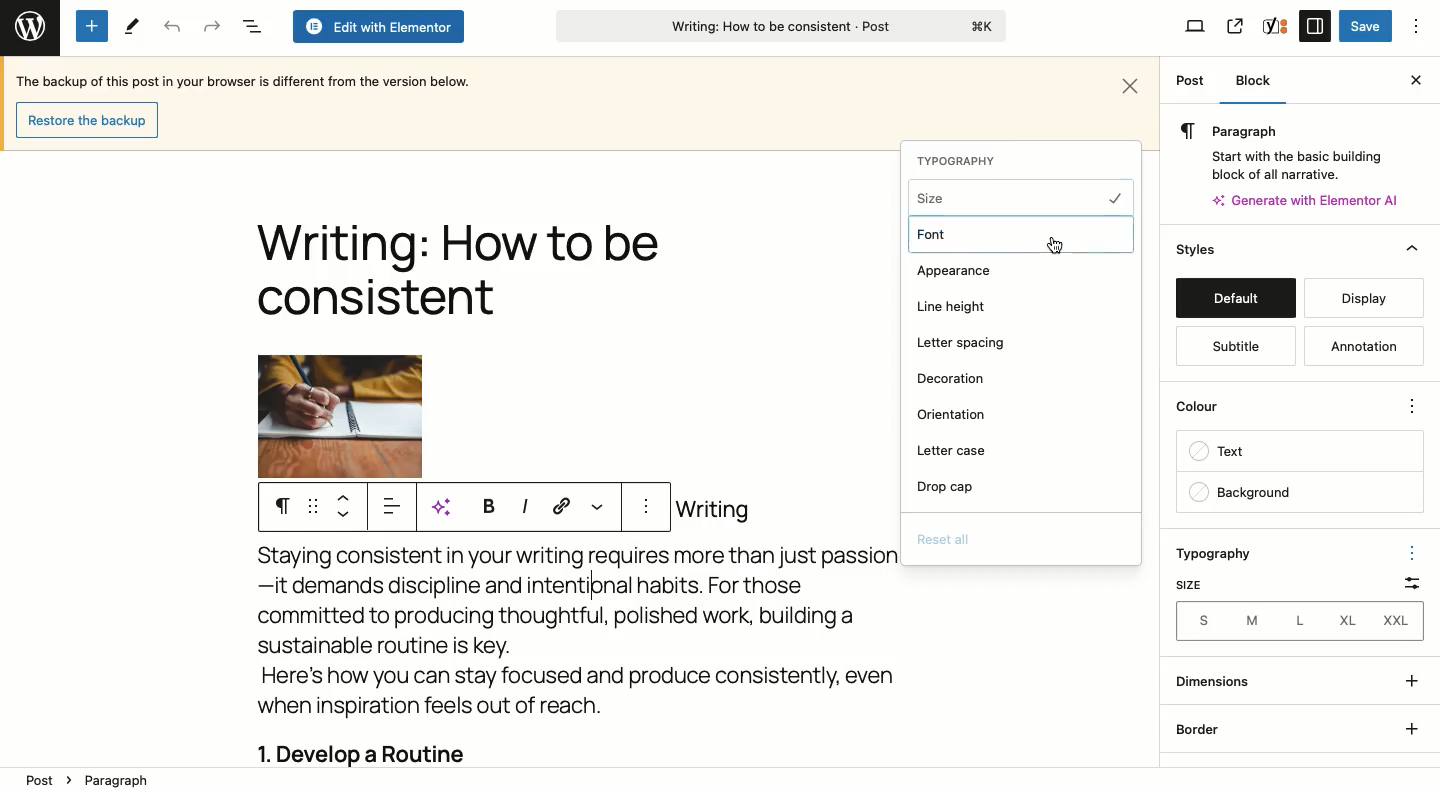 This screenshot has height=792, width=1440. I want to click on Drop cap, so click(946, 487).